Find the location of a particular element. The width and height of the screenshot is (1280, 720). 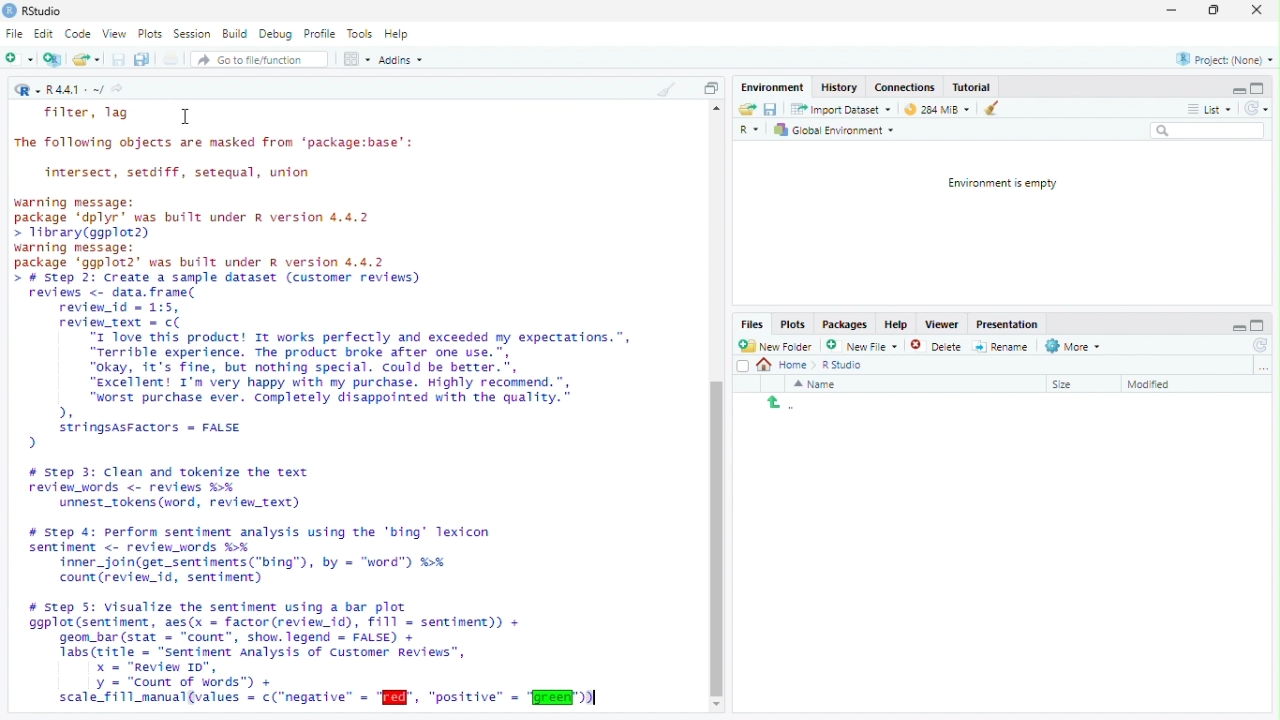

Project: (None) is located at coordinates (1225, 59).